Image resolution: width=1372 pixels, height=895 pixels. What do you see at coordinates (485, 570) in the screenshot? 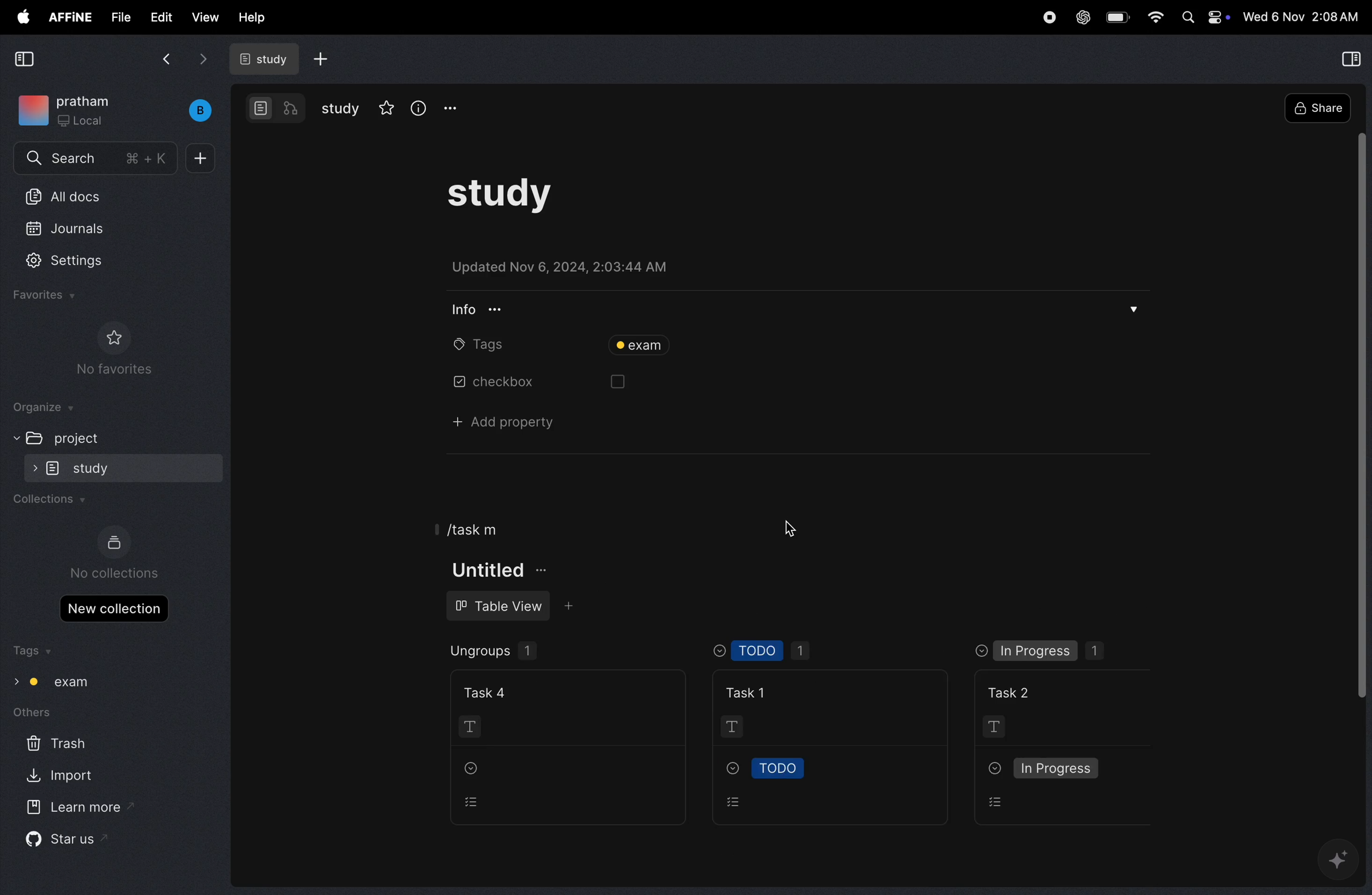
I see `titke` at bounding box center [485, 570].